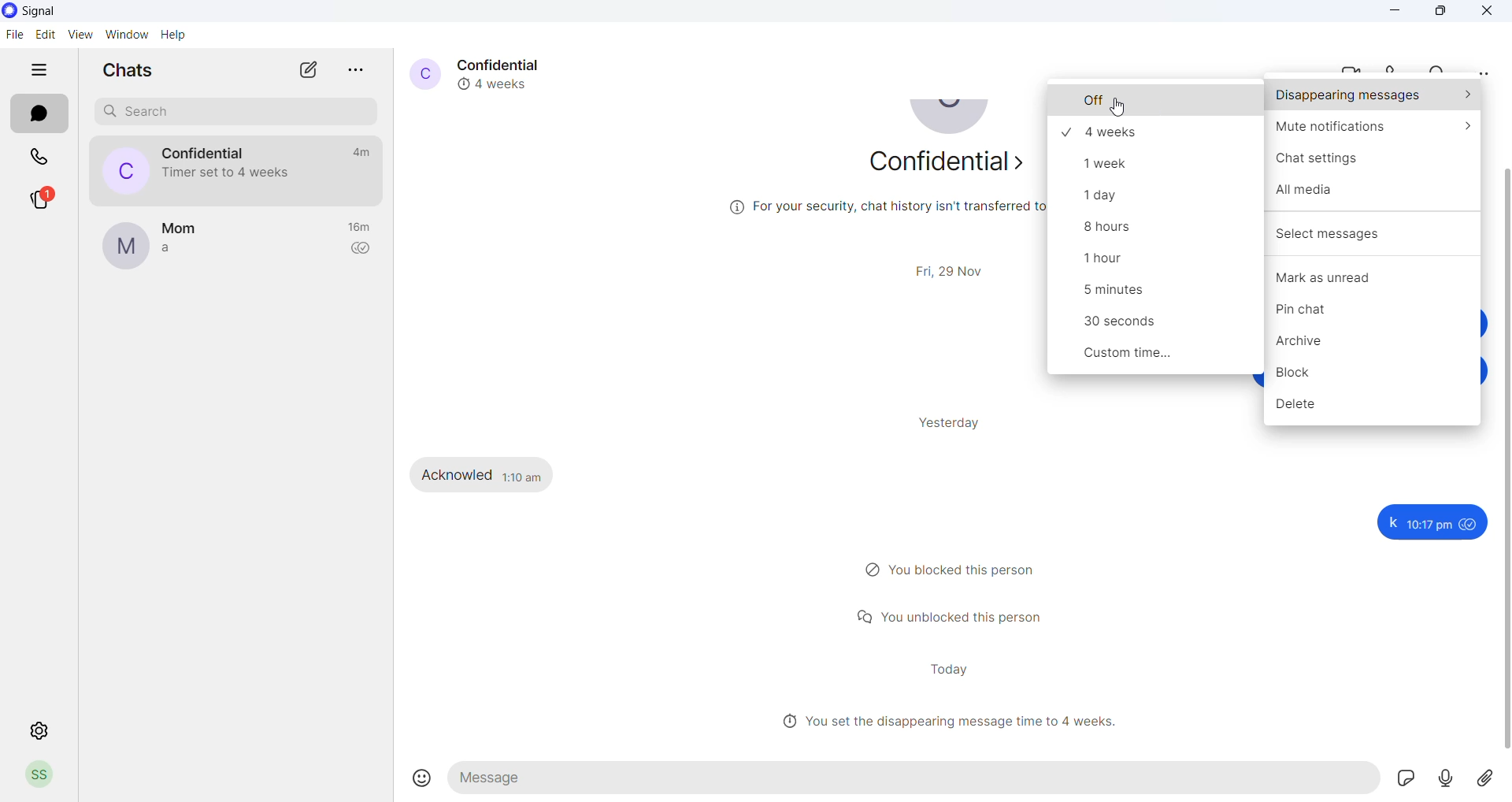 This screenshot has height=802, width=1512. I want to click on contact, so click(193, 225).